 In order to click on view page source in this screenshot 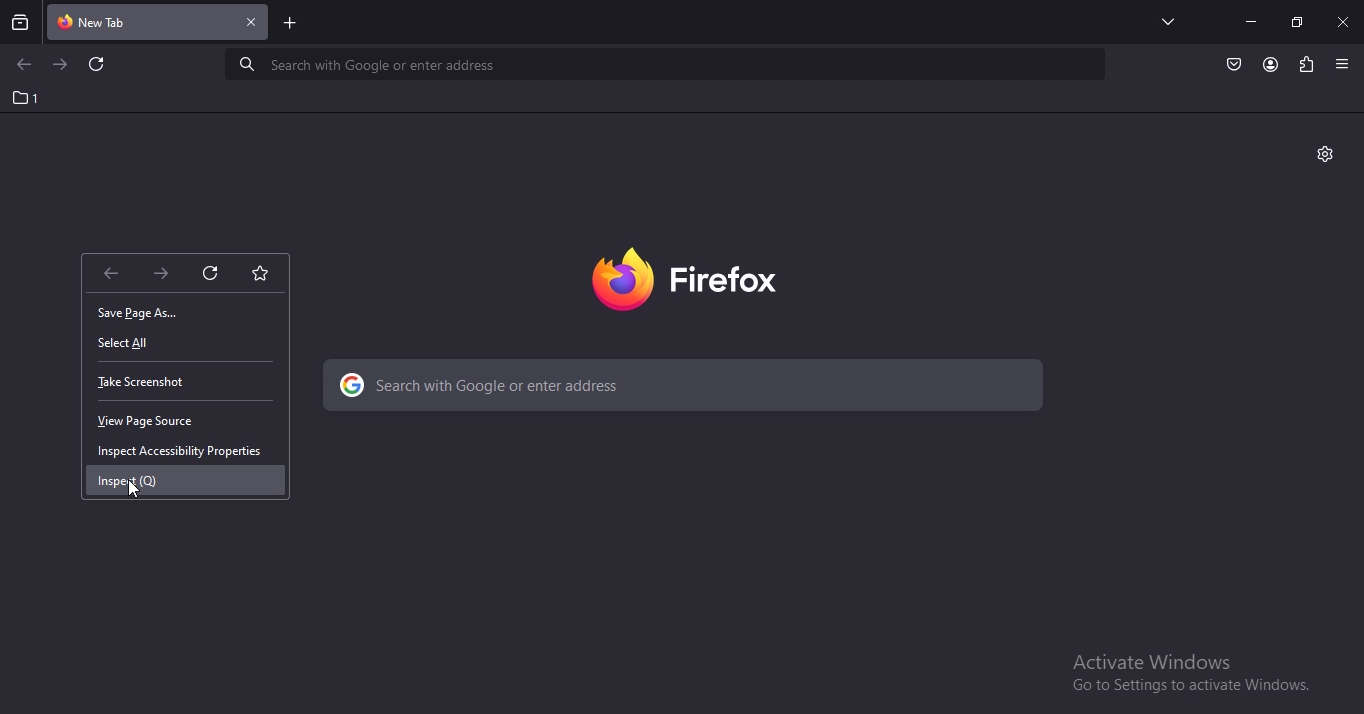, I will do `click(150, 420)`.